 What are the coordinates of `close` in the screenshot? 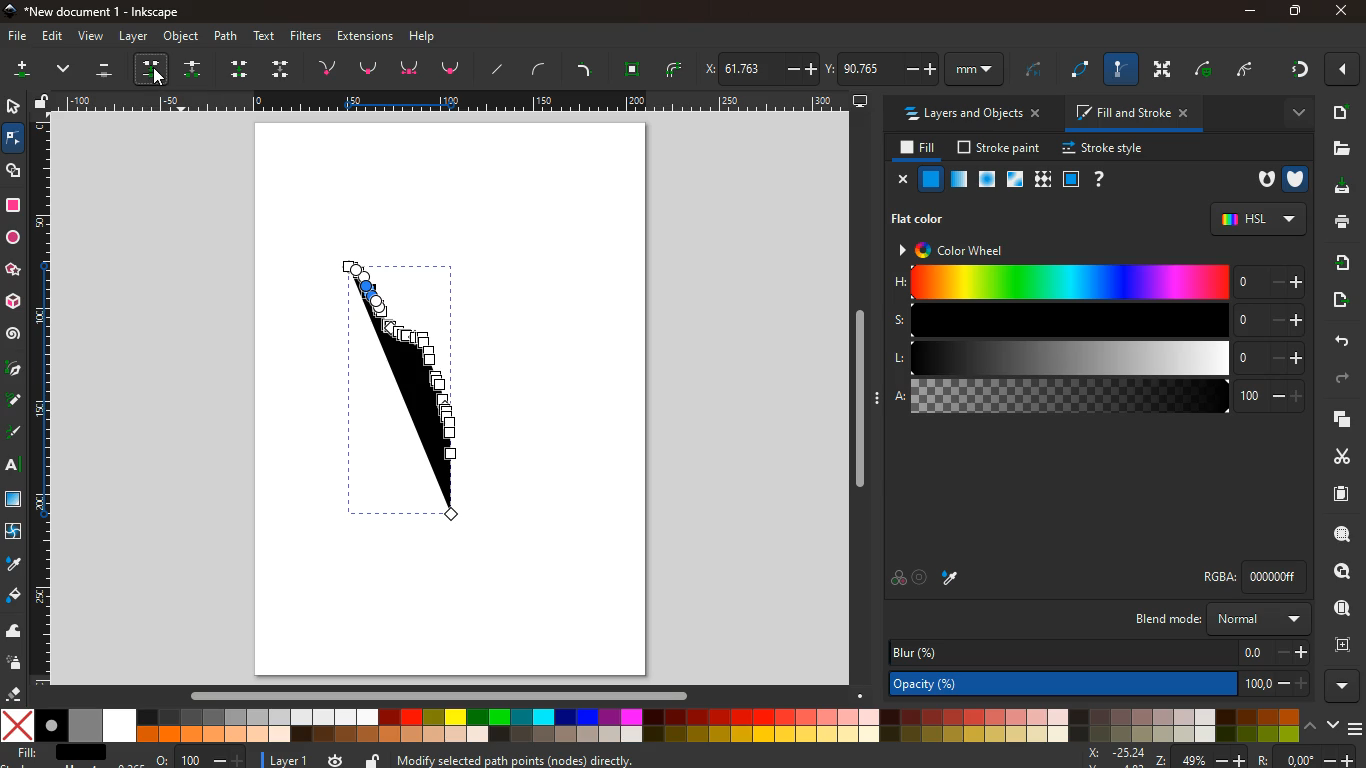 It's located at (1345, 70).